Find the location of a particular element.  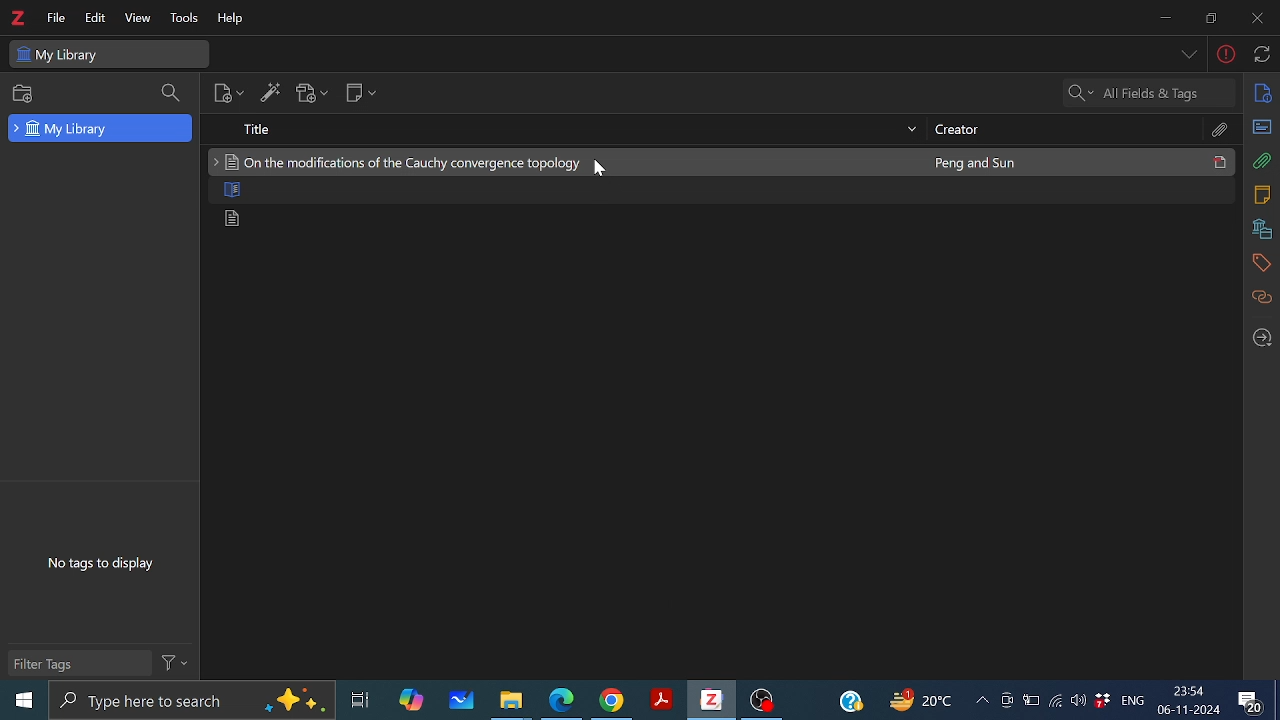

Help is located at coordinates (1225, 55).